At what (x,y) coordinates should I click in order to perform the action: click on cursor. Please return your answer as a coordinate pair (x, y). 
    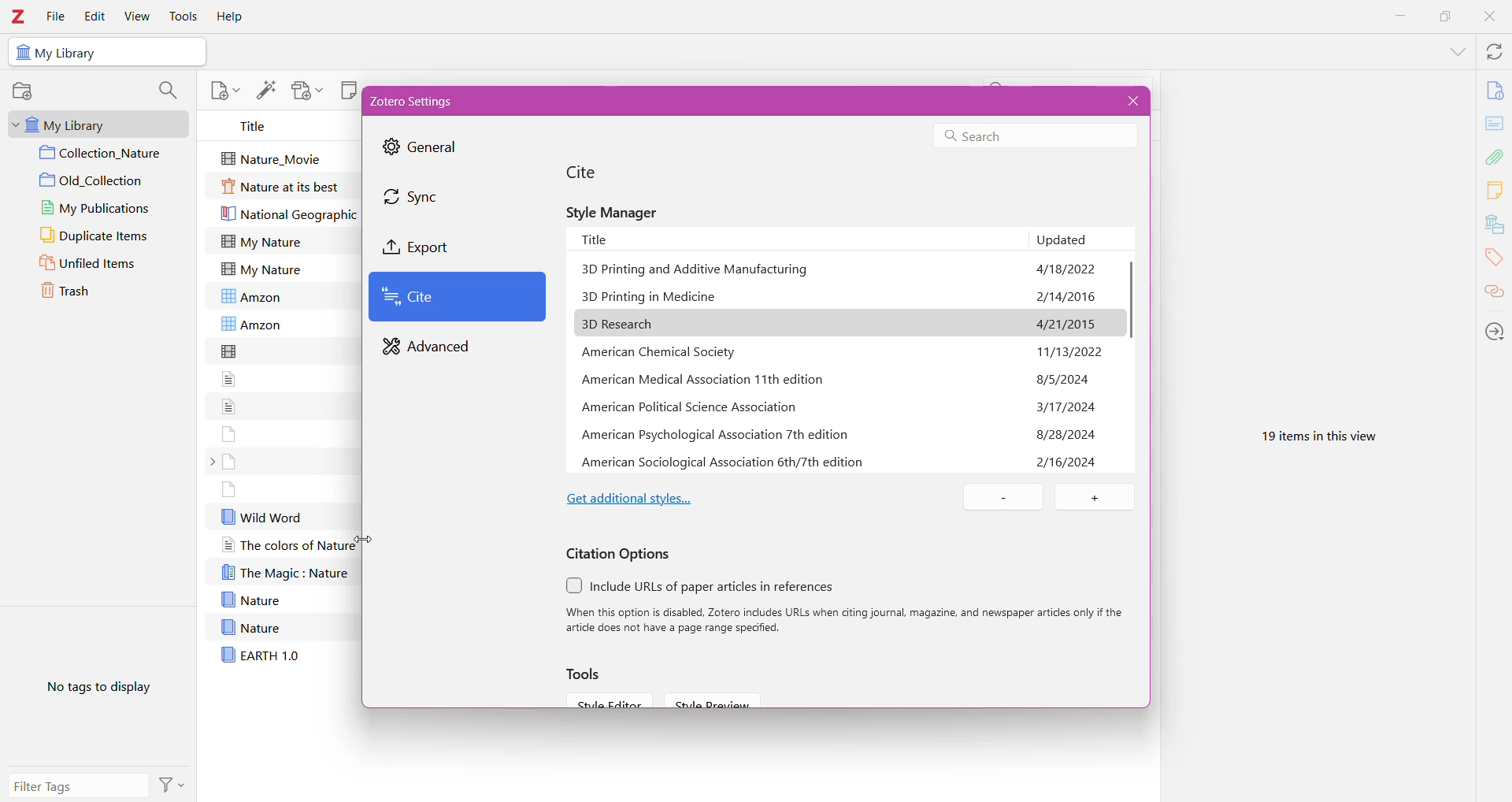
    Looking at the image, I should click on (361, 537).